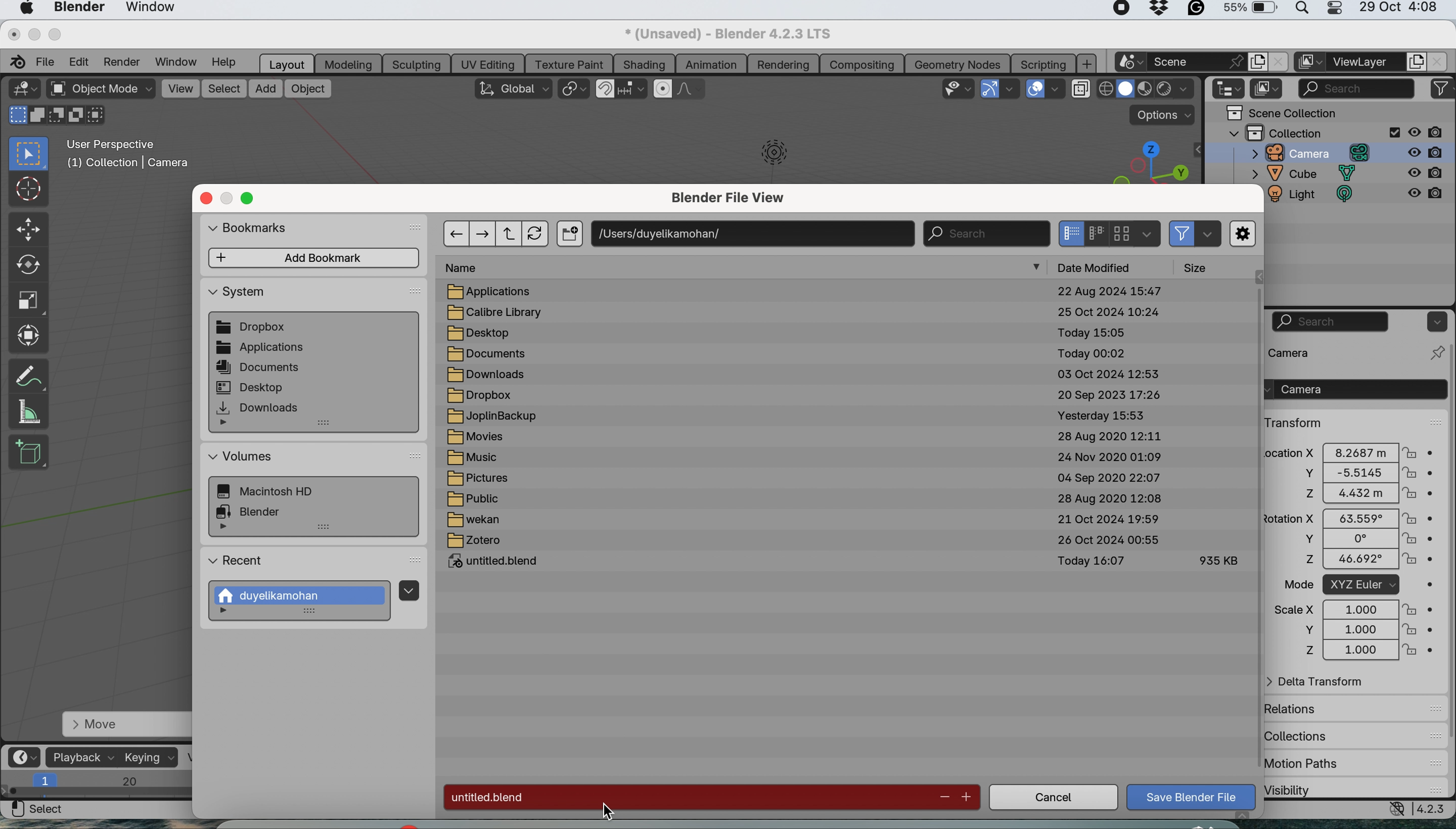 The image size is (1456, 829). I want to click on blener file view, so click(734, 200).